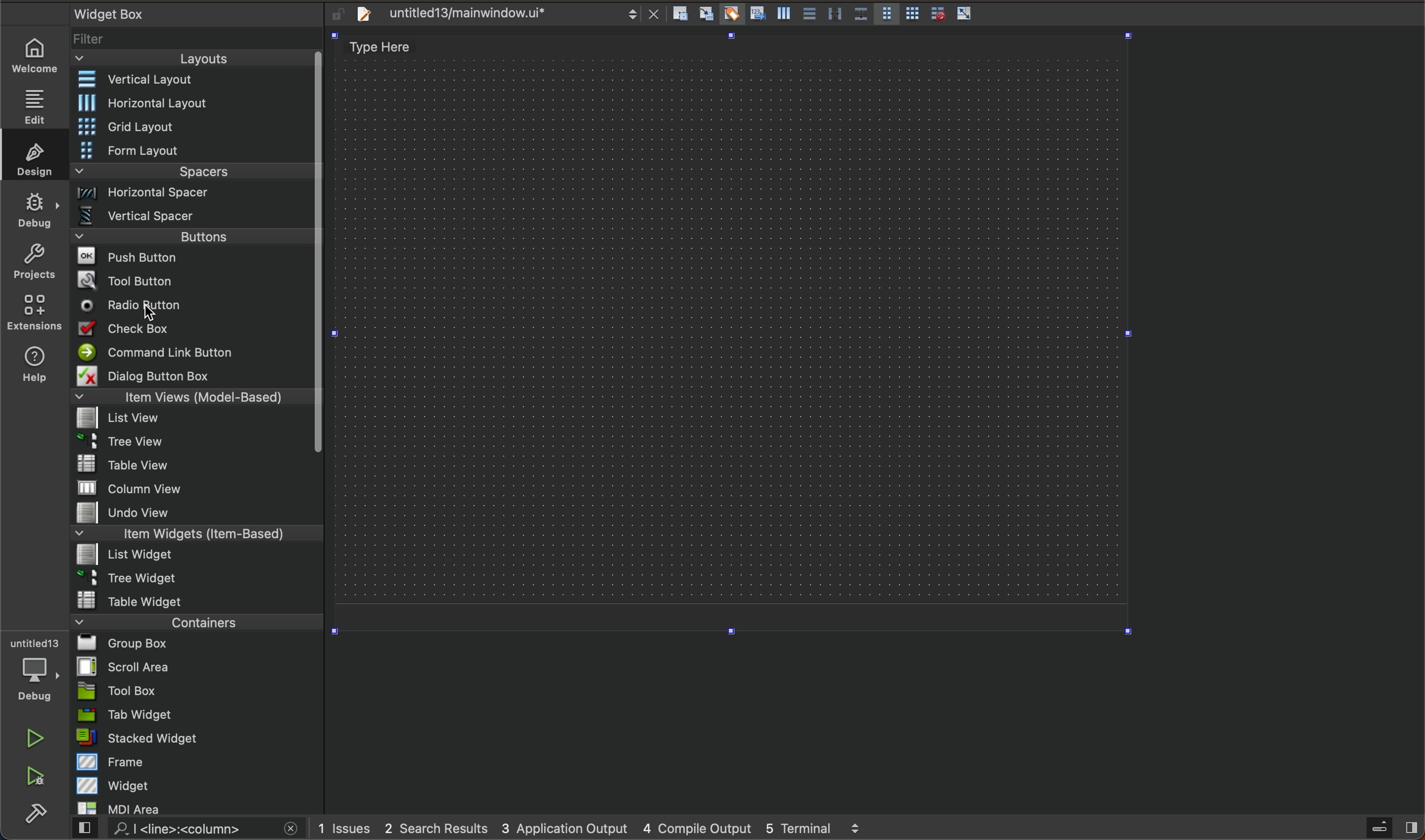  I want to click on spacers, so click(194, 175).